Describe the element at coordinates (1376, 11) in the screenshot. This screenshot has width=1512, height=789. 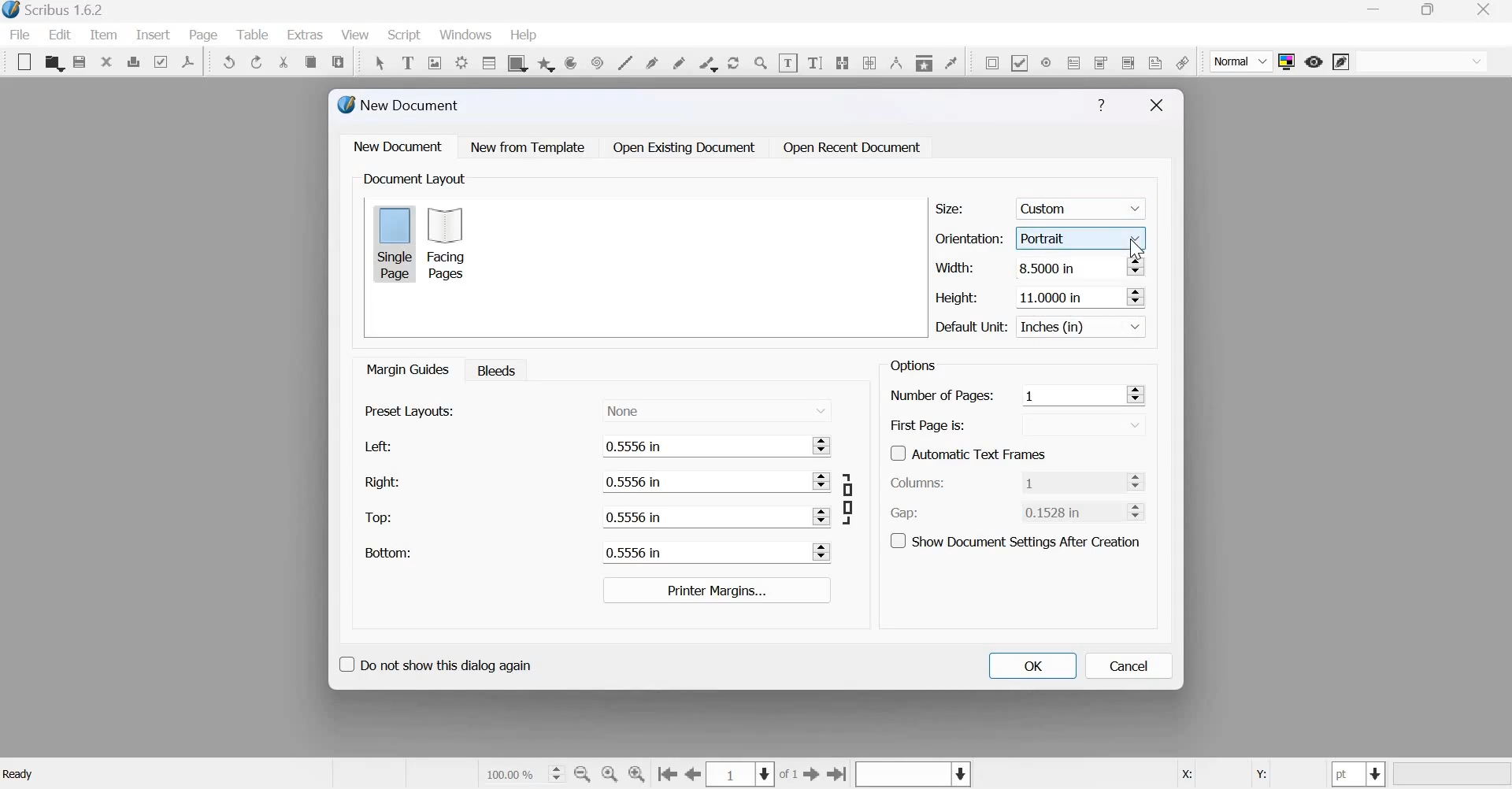
I see `minimize` at that location.